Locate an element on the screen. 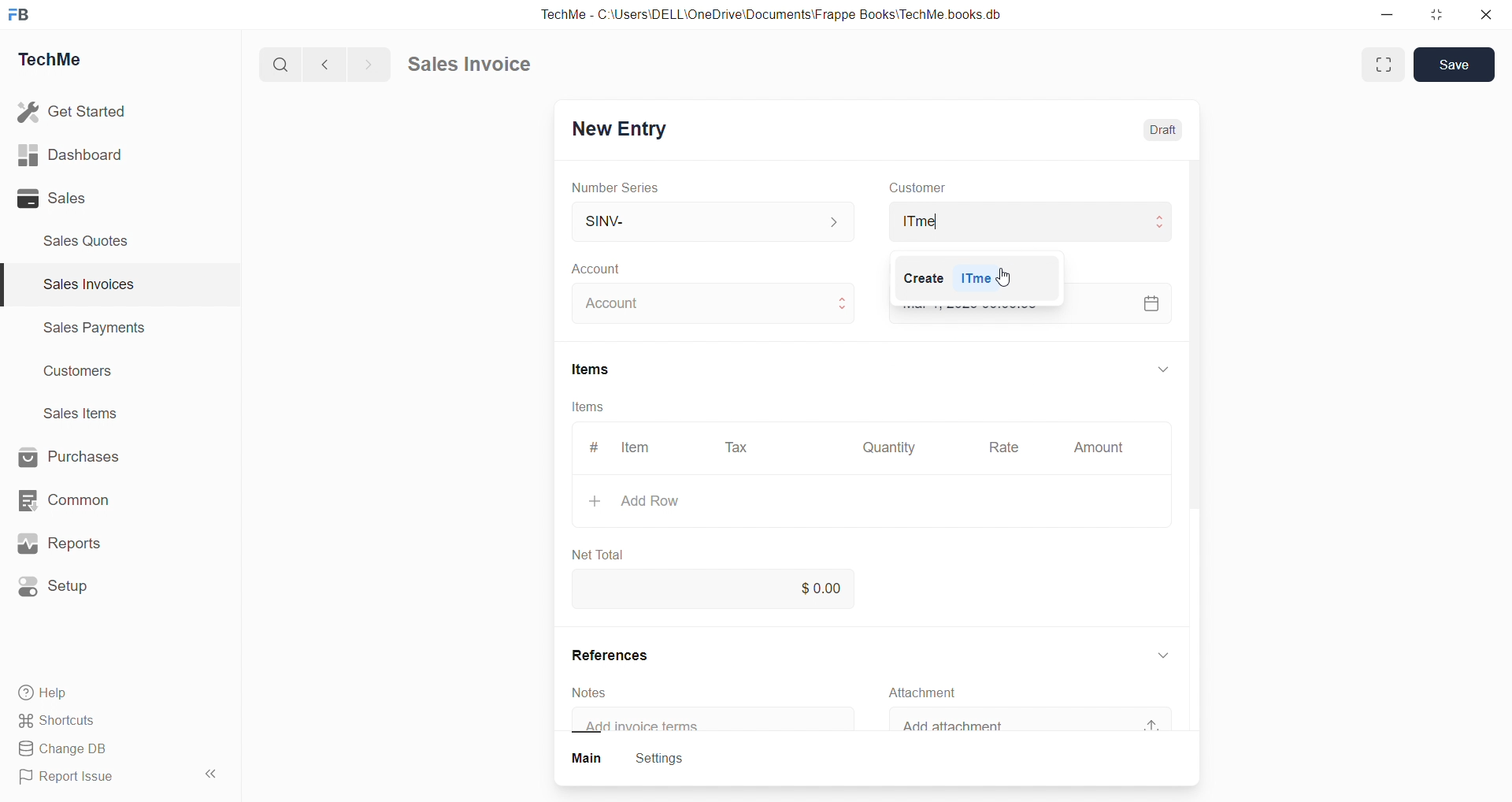 The height and width of the screenshot is (802, 1512). Close is located at coordinates (1490, 18).